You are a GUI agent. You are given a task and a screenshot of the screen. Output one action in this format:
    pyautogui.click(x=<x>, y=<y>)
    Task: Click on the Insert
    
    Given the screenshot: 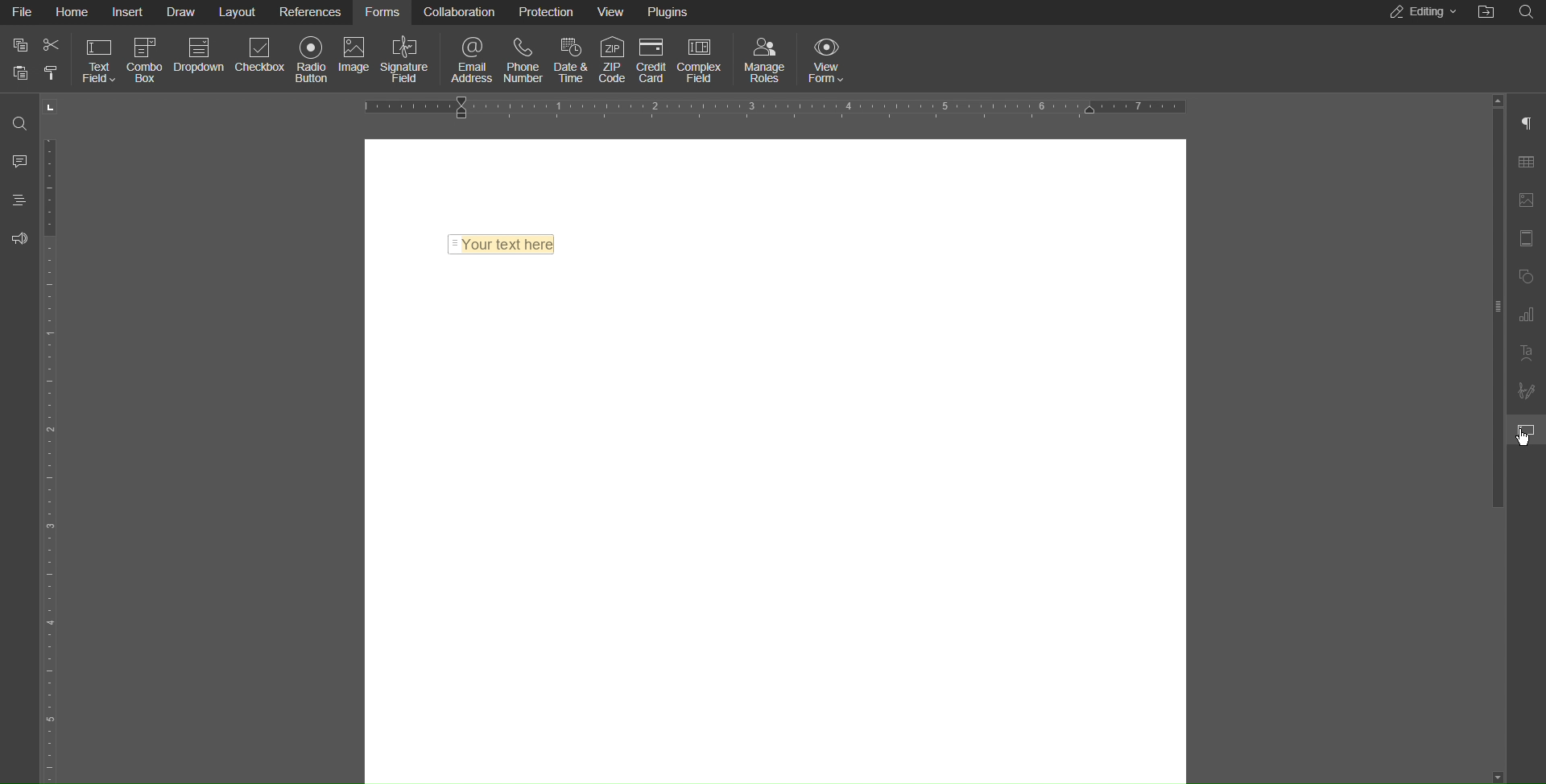 What is the action you would take?
    pyautogui.click(x=130, y=13)
    